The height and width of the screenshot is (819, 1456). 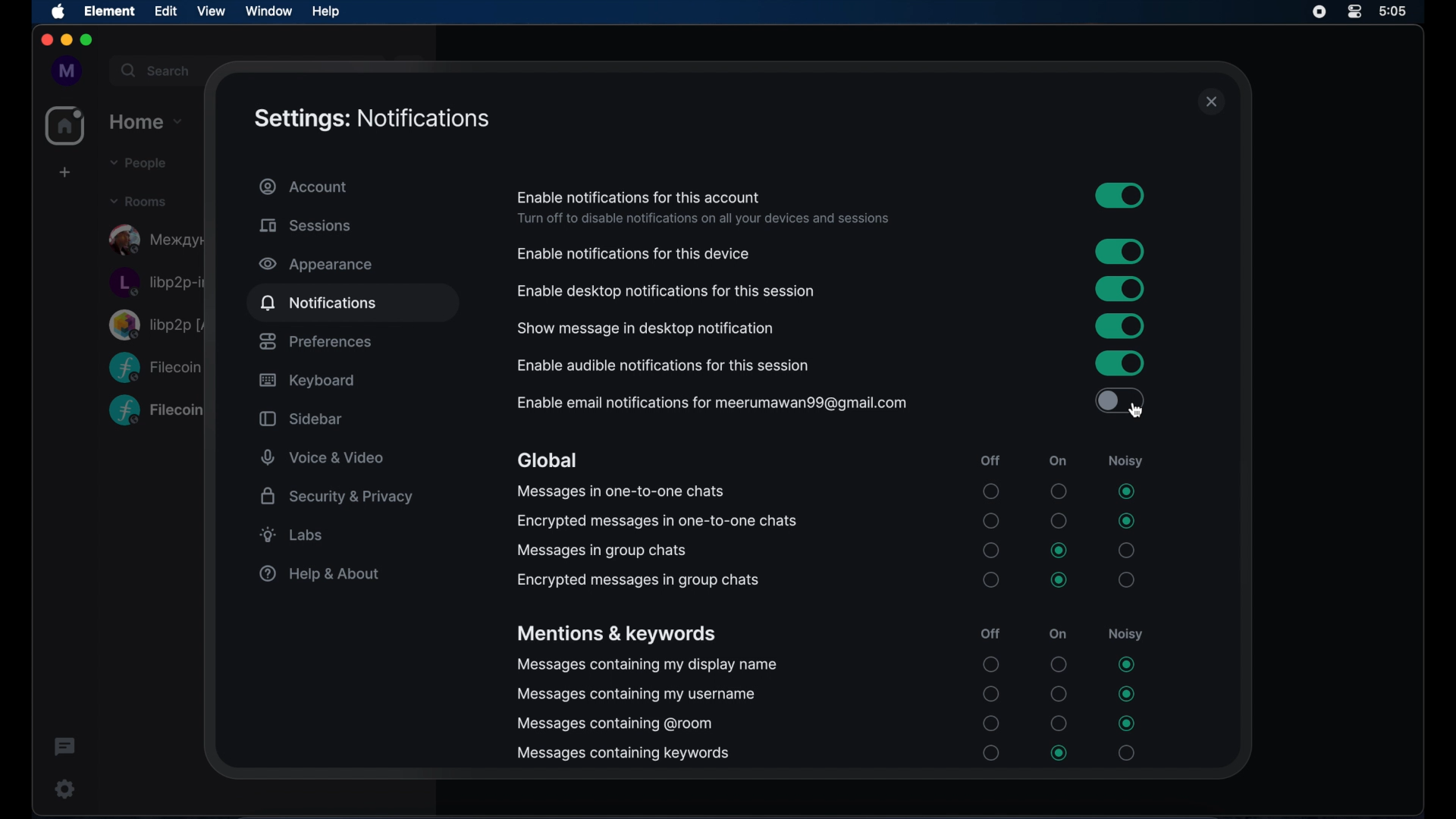 I want to click on radio button, so click(x=1125, y=723).